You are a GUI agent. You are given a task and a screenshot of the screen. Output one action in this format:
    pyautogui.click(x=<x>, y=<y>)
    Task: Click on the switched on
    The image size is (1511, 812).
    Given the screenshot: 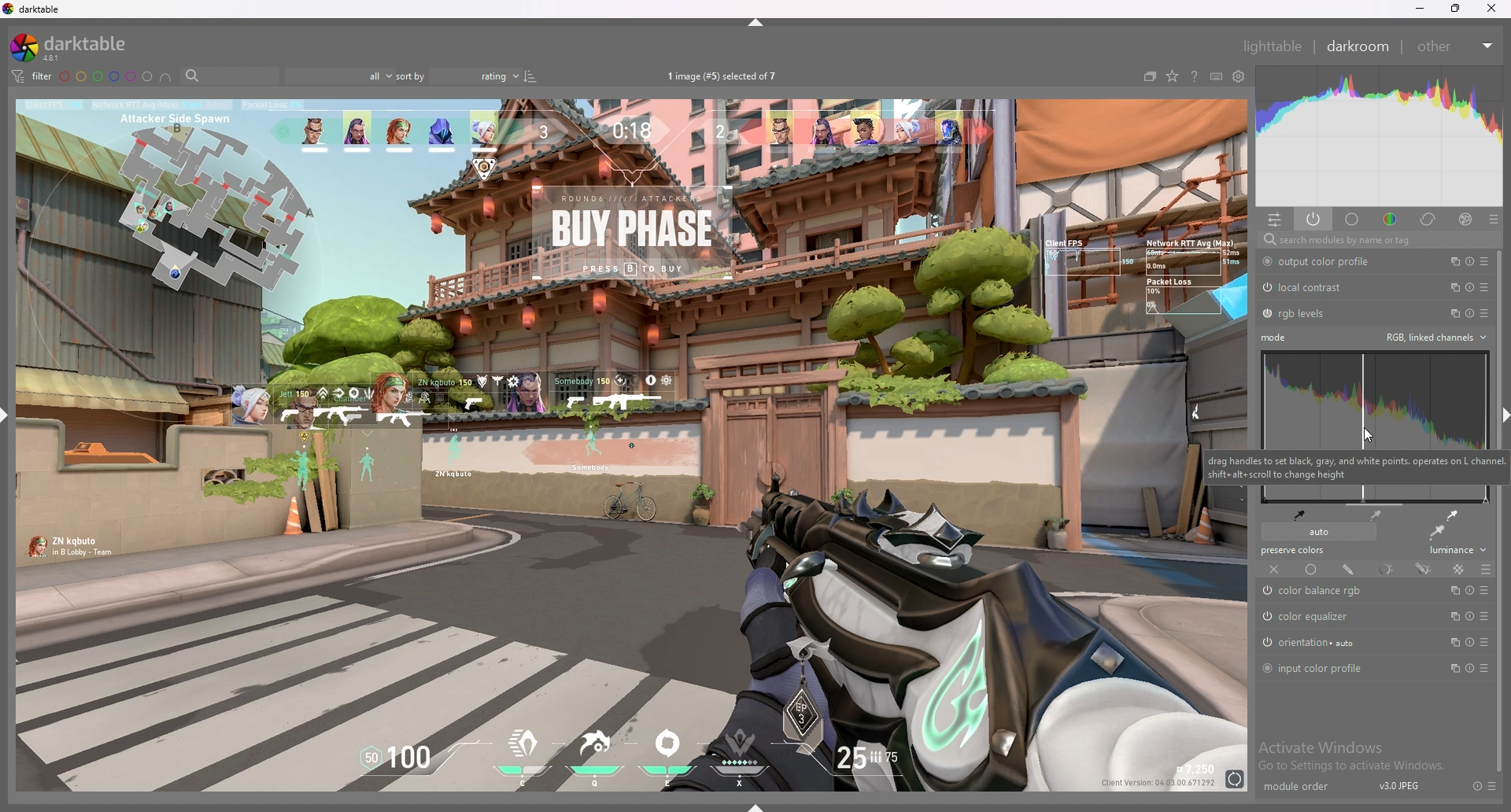 What is the action you would take?
    pyautogui.click(x=1265, y=288)
    